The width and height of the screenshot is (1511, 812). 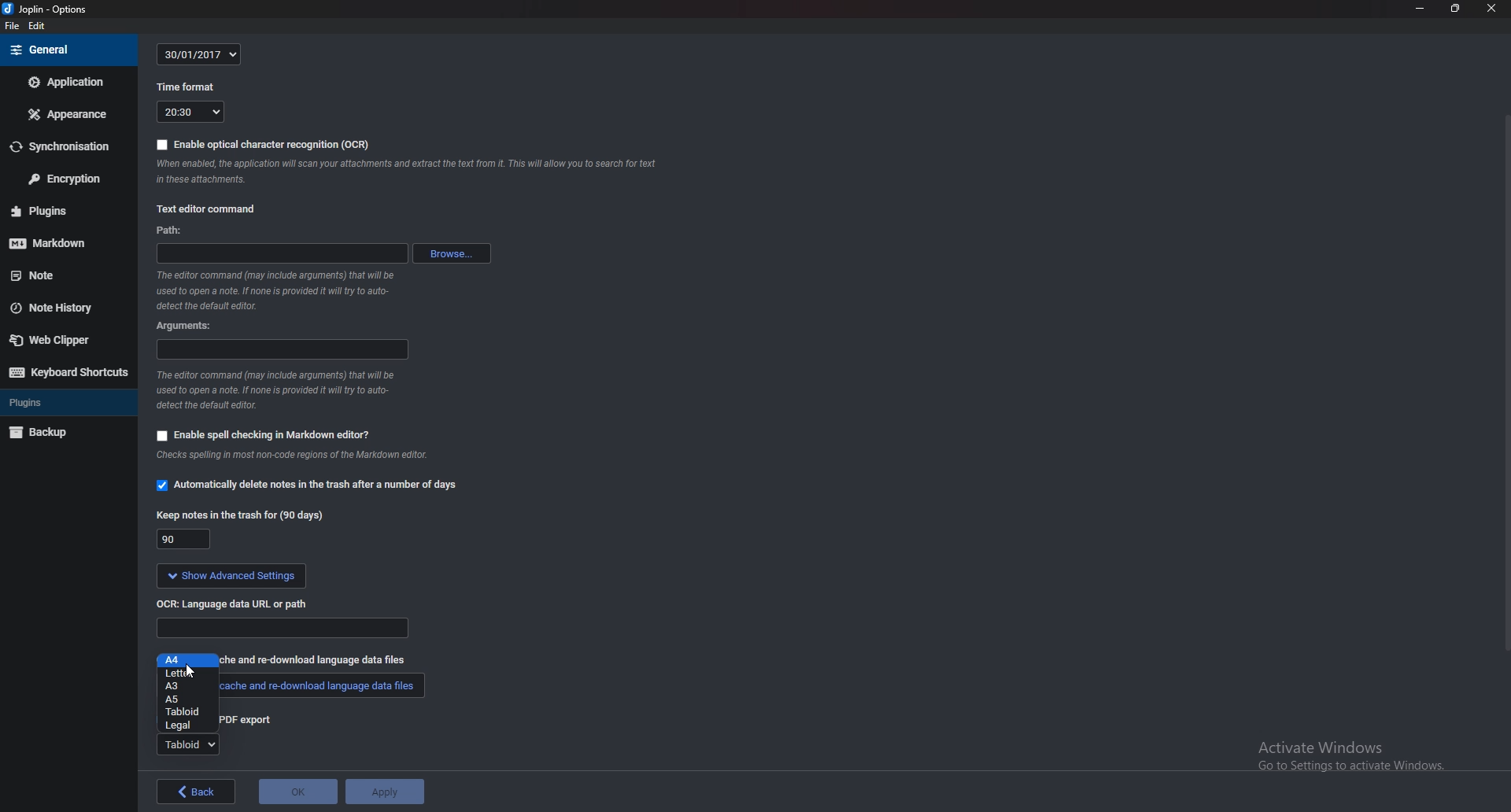 I want to click on 30/01/2017, so click(x=201, y=54).